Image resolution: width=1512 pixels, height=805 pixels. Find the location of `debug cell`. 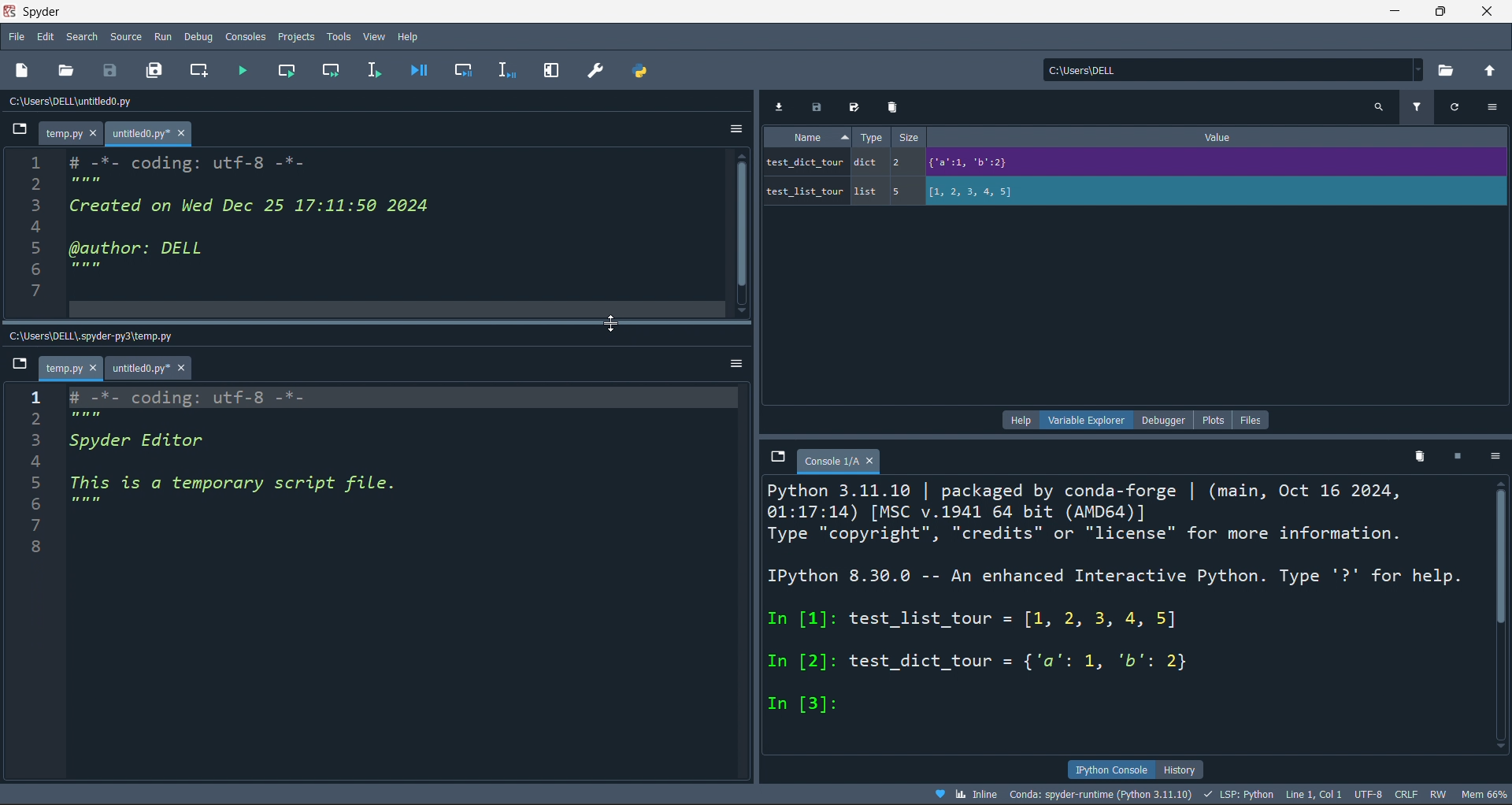

debug cell is located at coordinates (463, 70).